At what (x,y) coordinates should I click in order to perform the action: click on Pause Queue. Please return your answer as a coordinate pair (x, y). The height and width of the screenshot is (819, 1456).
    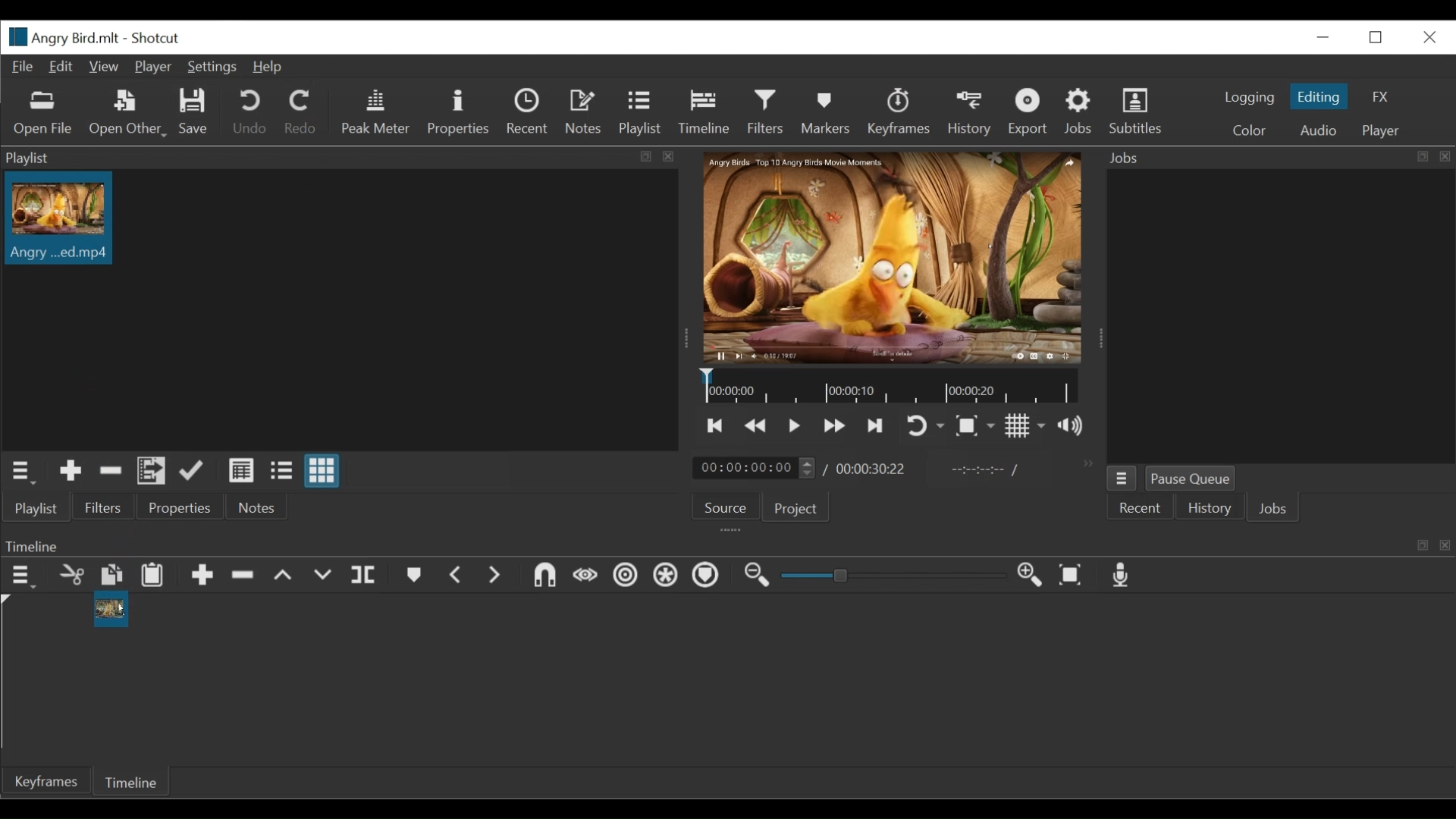
    Looking at the image, I should click on (1193, 479).